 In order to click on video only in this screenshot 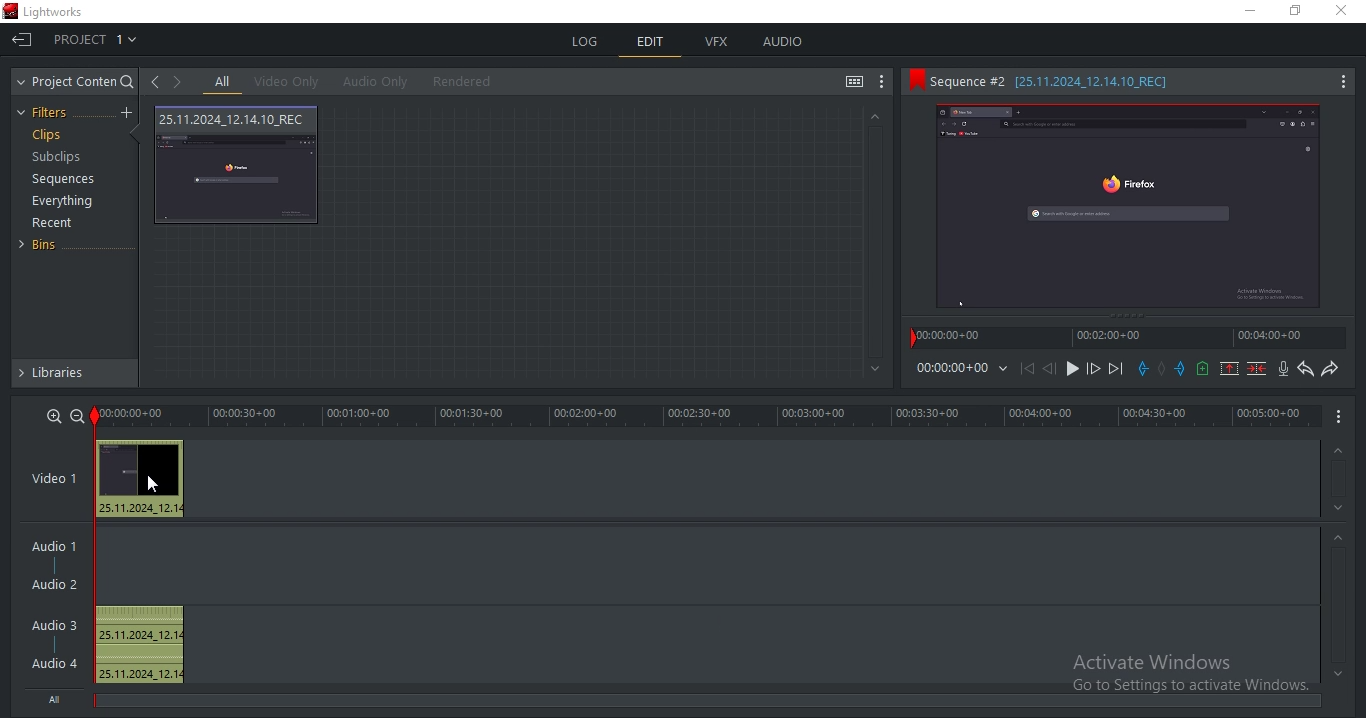, I will do `click(292, 82)`.